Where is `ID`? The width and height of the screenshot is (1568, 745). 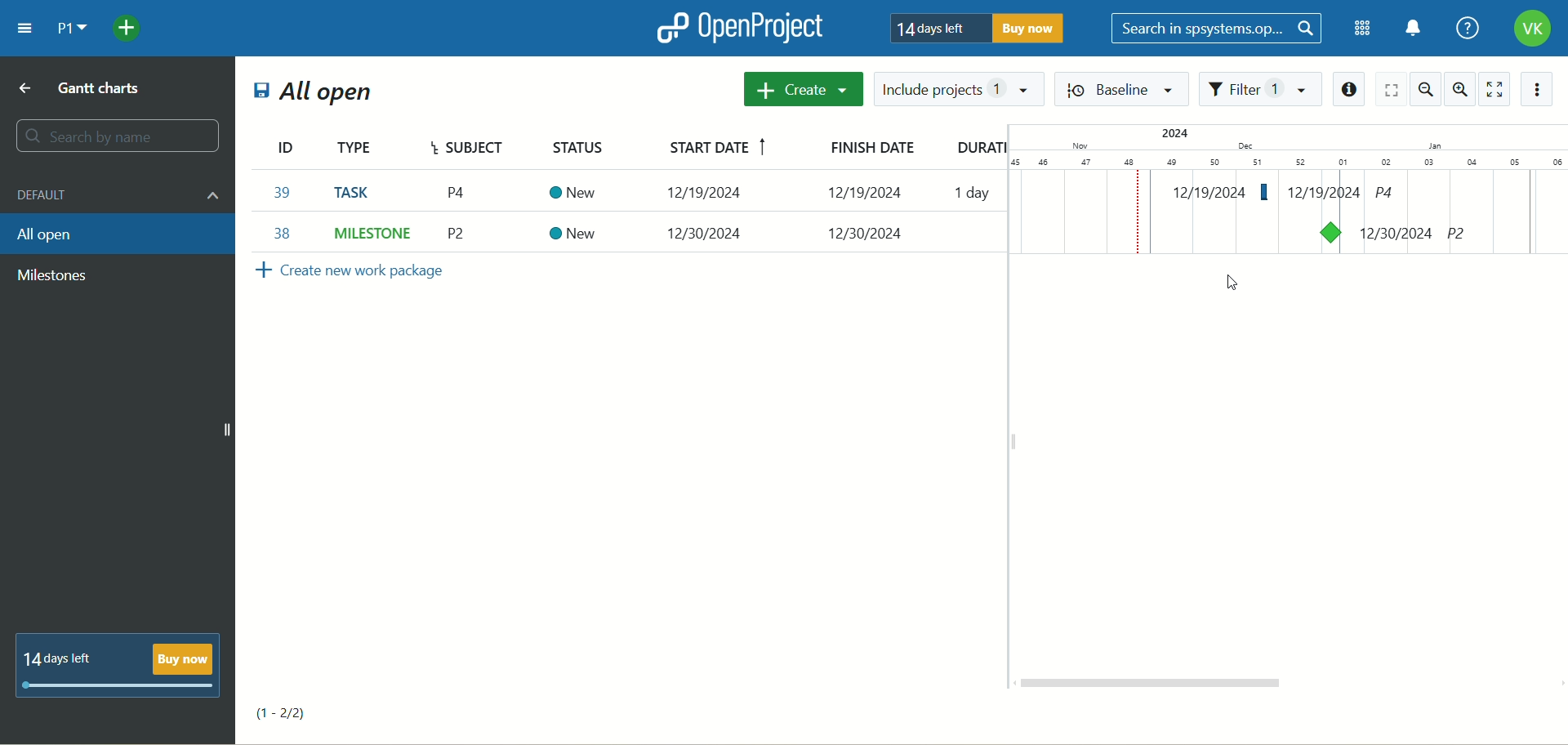 ID is located at coordinates (288, 141).